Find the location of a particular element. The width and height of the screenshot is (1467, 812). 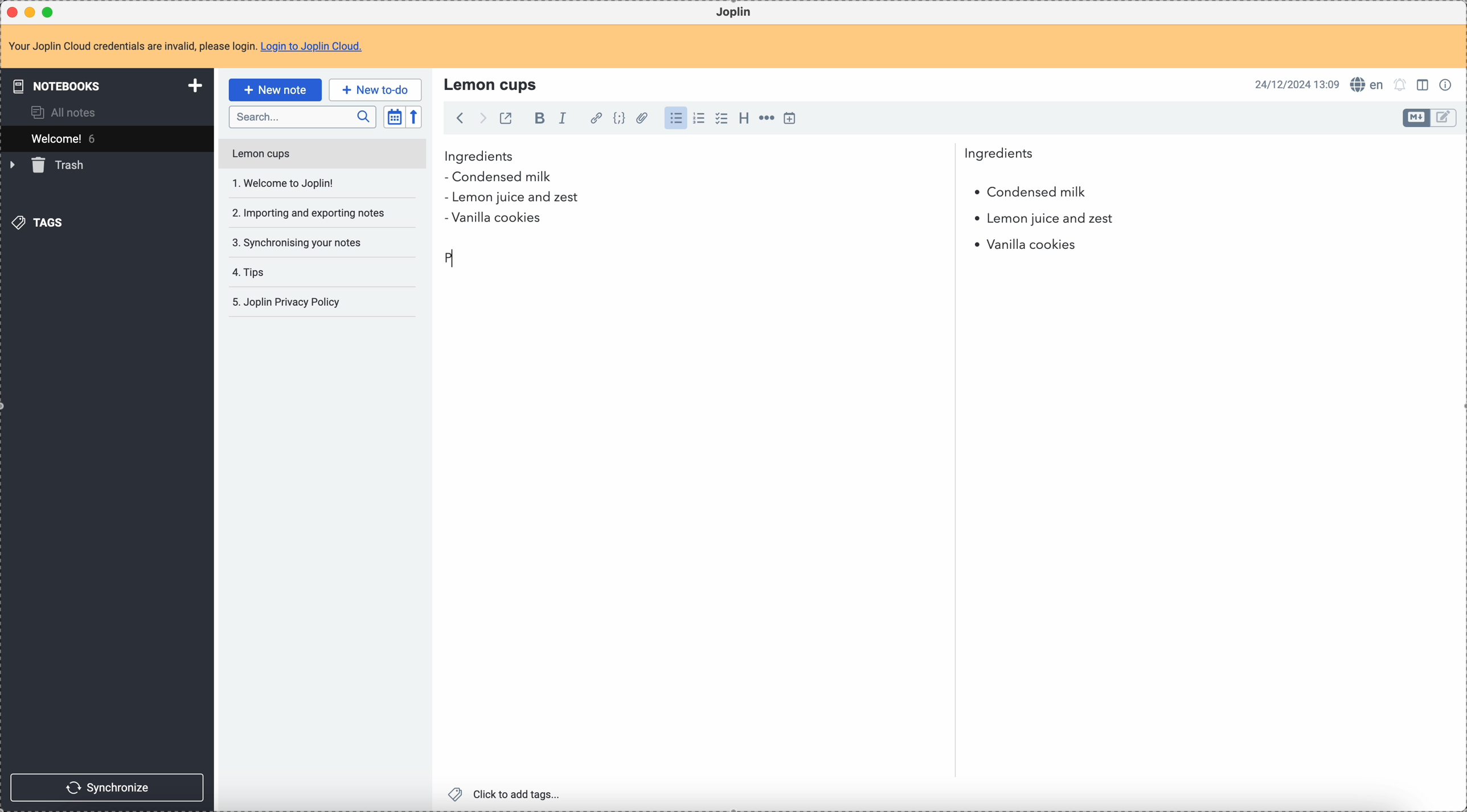

welcome to Joplin! is located at coordinates (284, 183).